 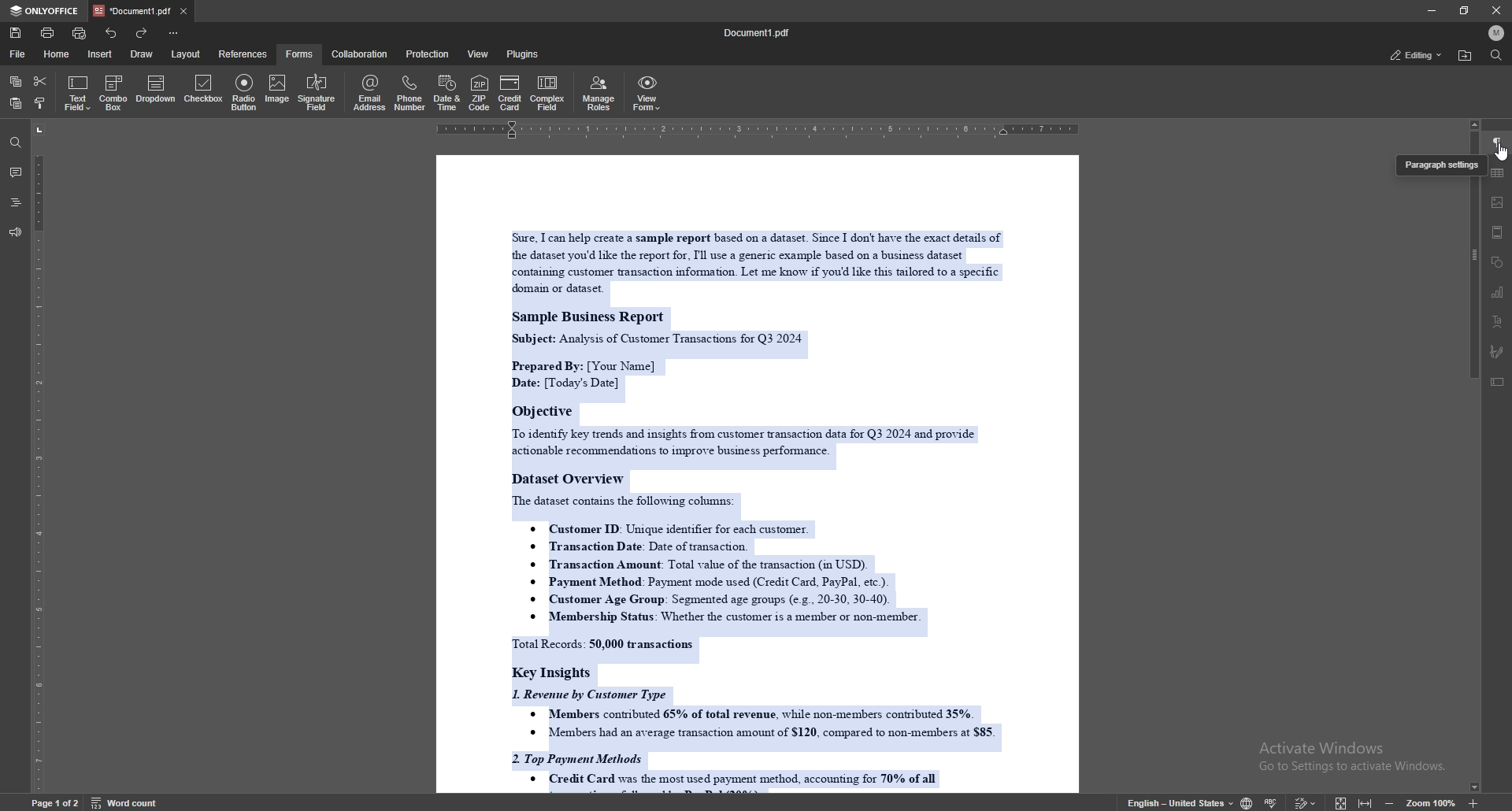 What do you see at coordinates (18, 54) in the screenshot?
I see `file` at bounding box center [18, 54].